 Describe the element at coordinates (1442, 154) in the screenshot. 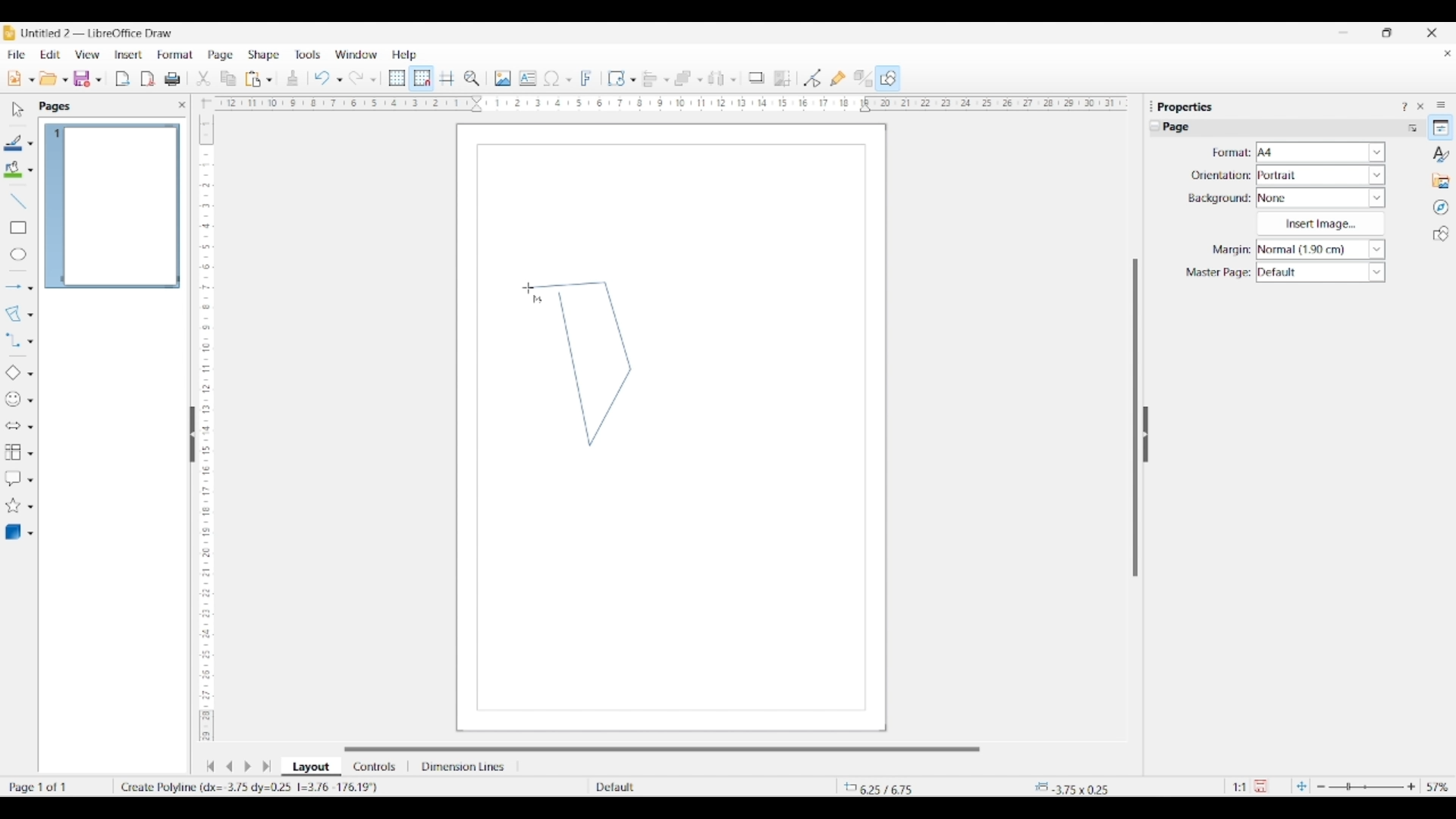

I see `Styles` at that location.